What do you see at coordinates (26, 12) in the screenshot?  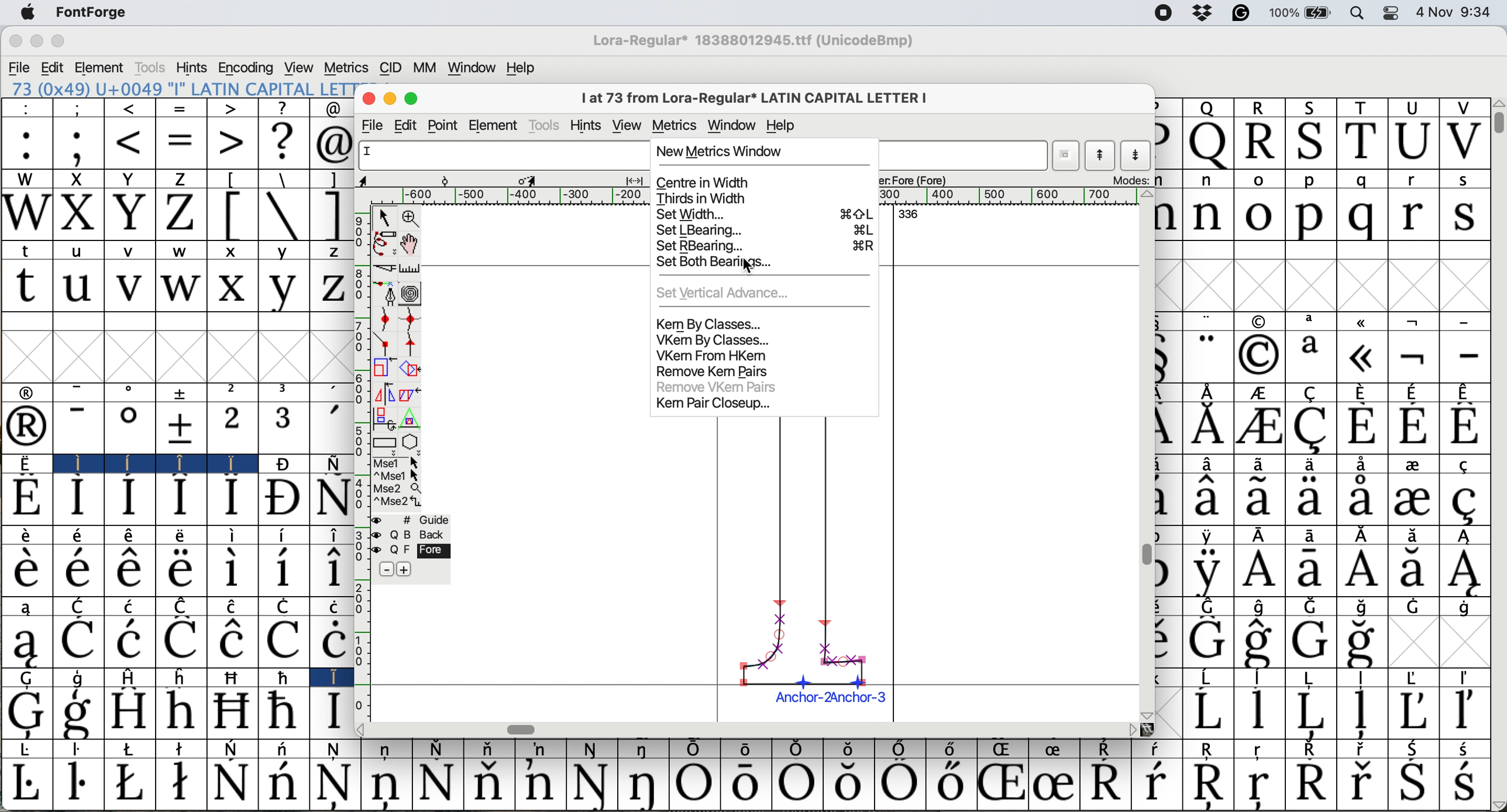 I see `system logo` at bounding box center [26, 12].